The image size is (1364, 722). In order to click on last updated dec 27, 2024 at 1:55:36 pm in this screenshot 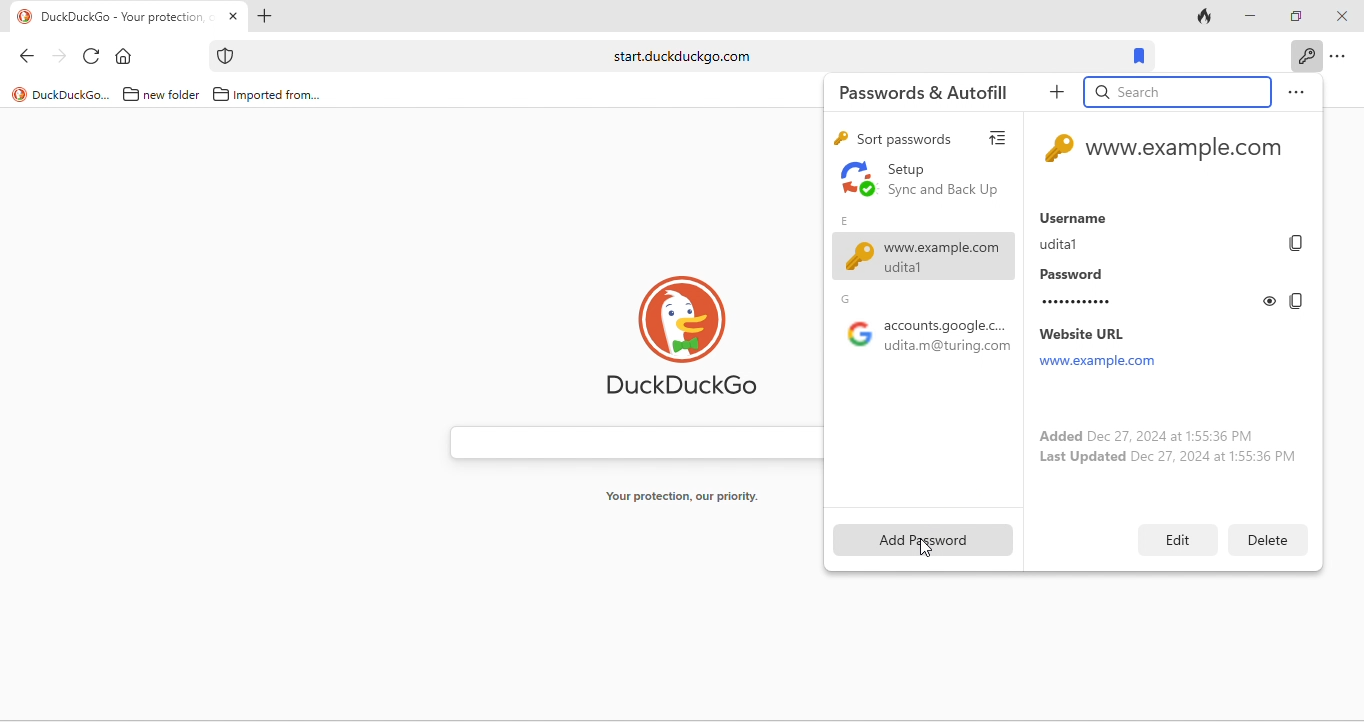, I will do `click(1171, 457)`.